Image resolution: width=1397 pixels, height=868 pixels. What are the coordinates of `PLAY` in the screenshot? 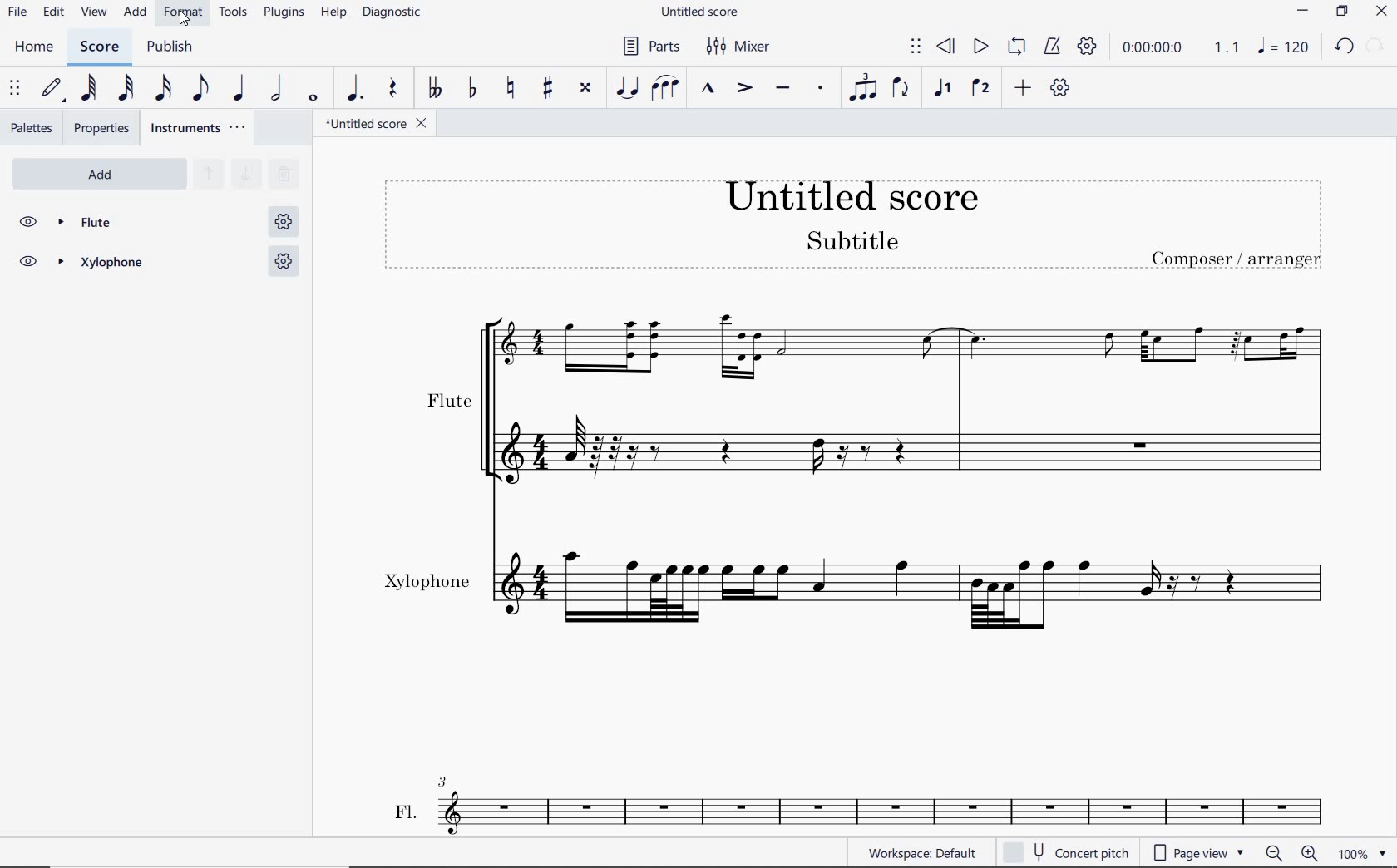 It's located at (980, 47).